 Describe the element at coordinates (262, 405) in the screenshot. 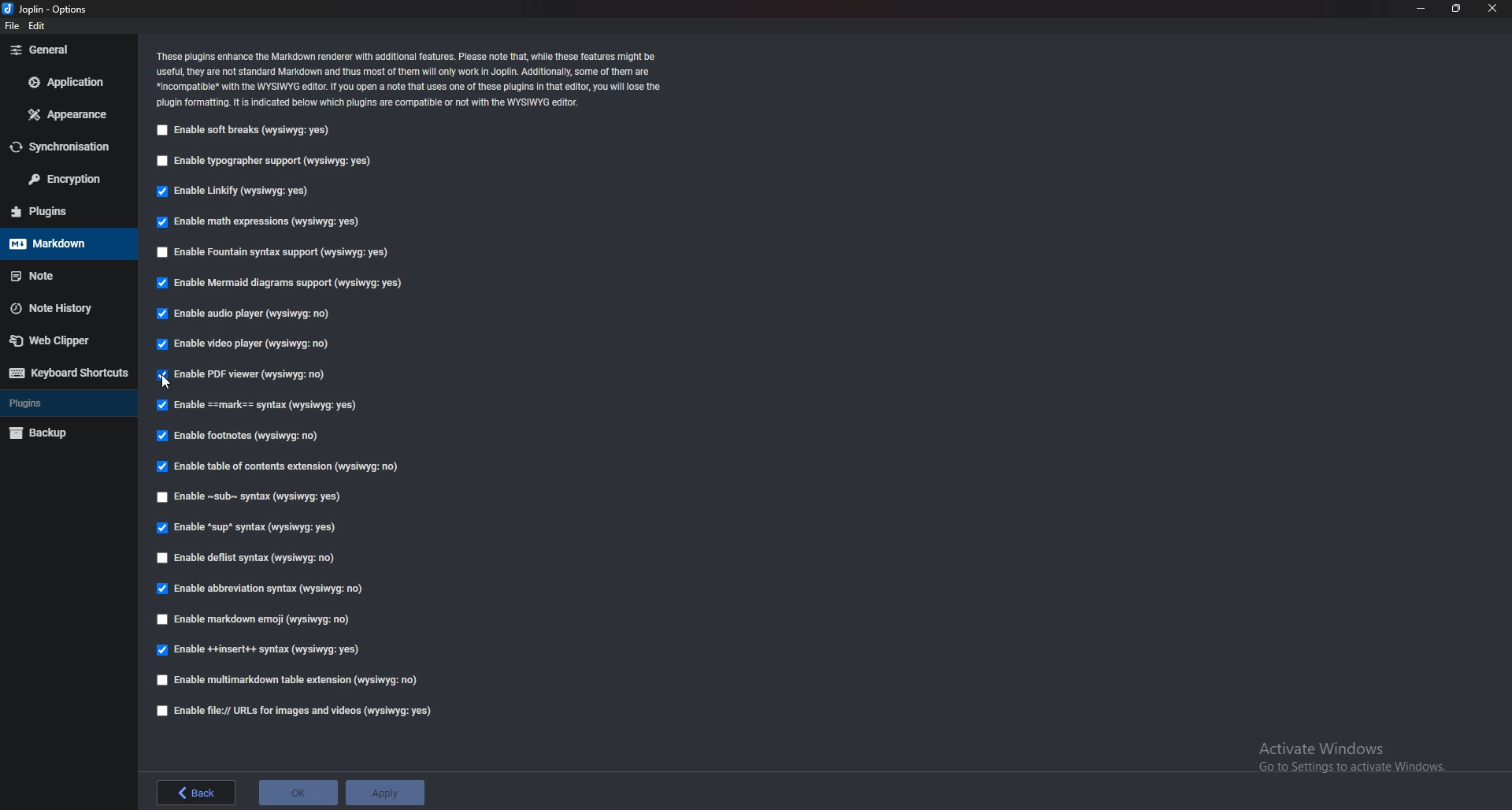

I see `Enable Mark Syntax` at that location.